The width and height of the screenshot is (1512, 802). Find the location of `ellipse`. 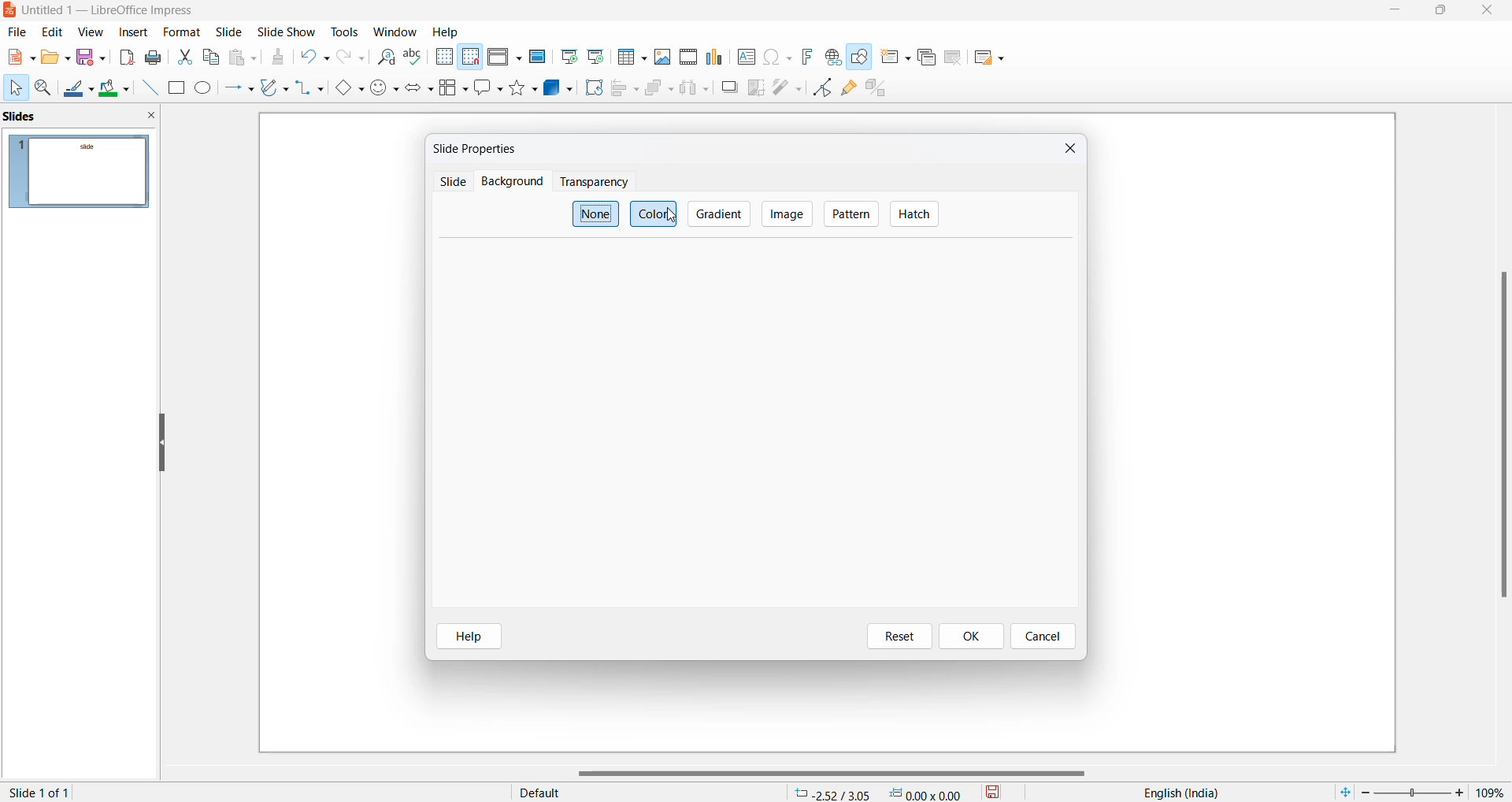

ellipse is located at coordinates (205, 89).